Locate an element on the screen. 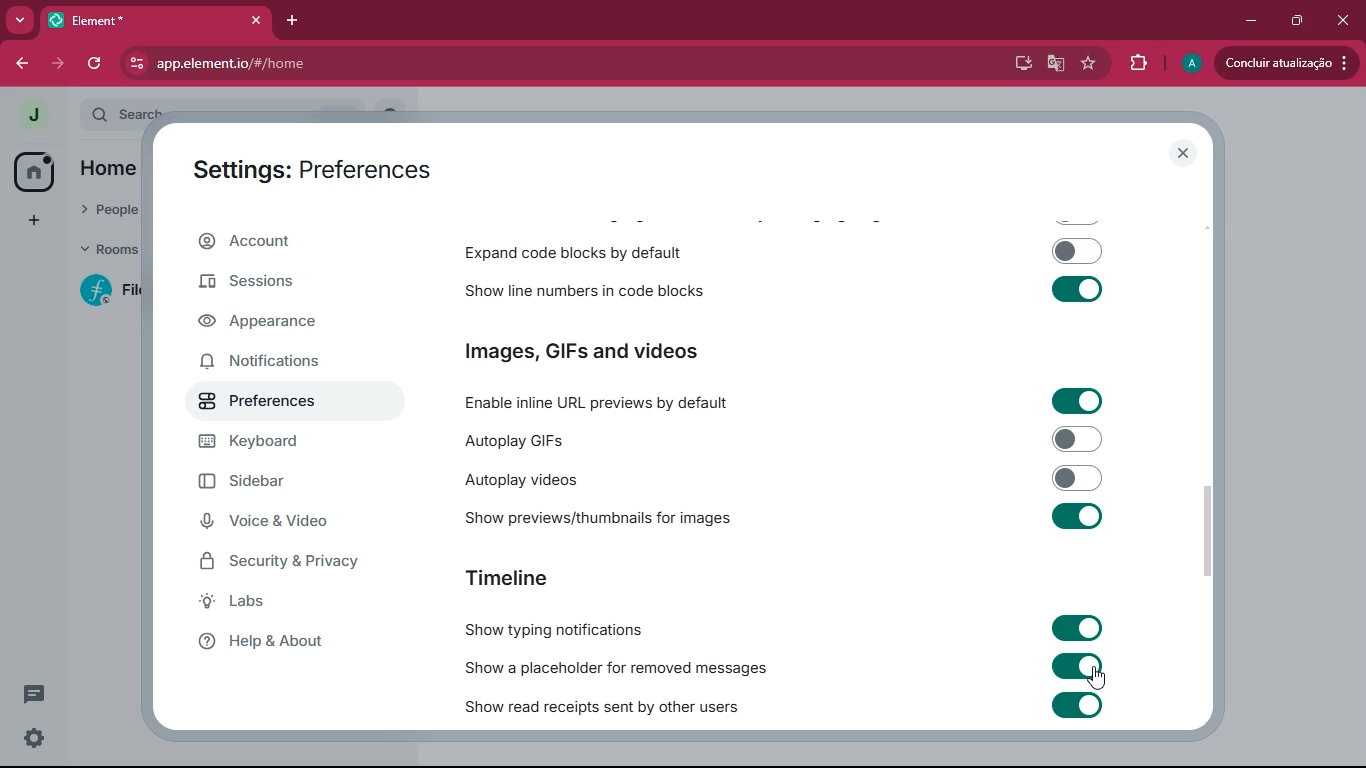  help & about is located at coordinates (288, 643).